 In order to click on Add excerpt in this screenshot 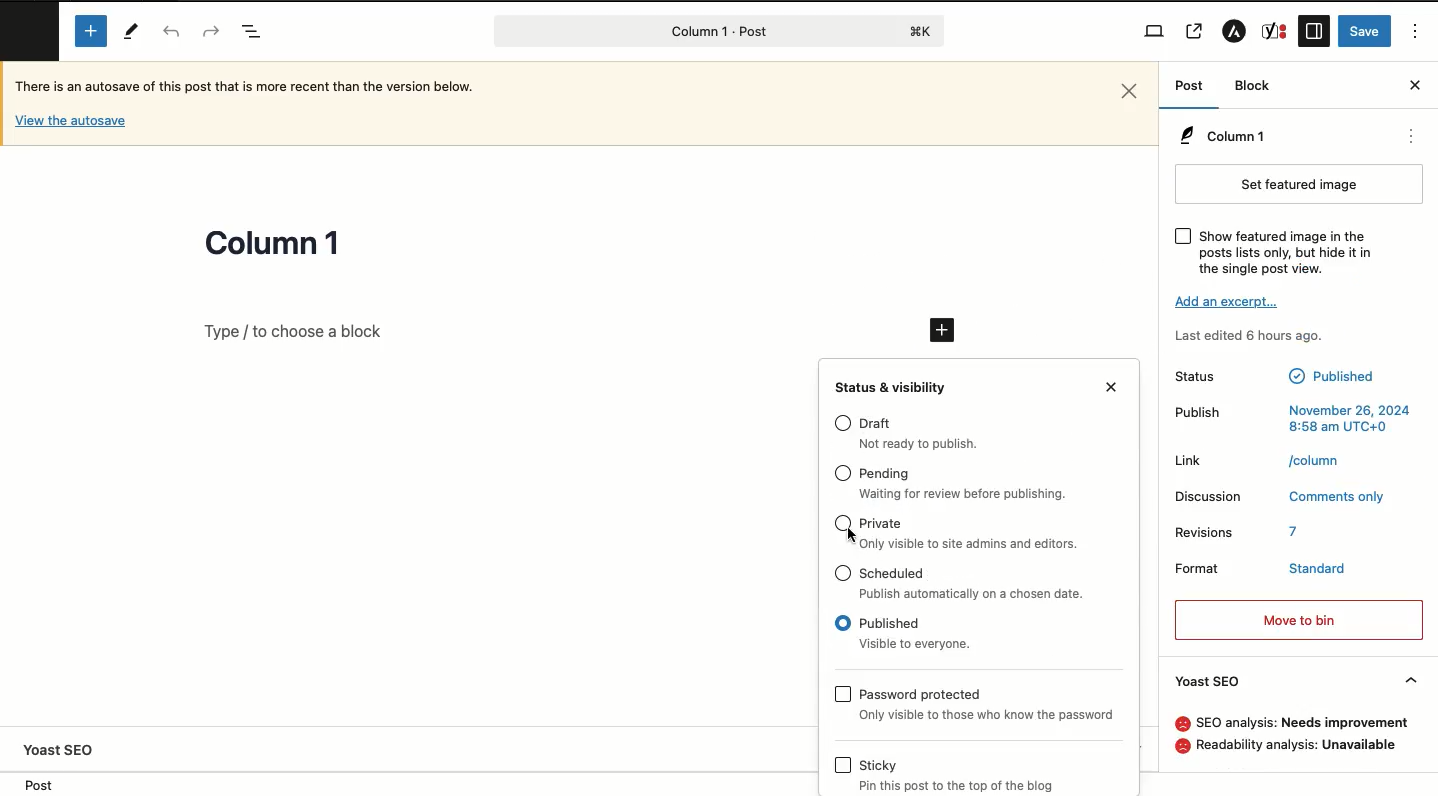, I will do `click(1231, 300)`.